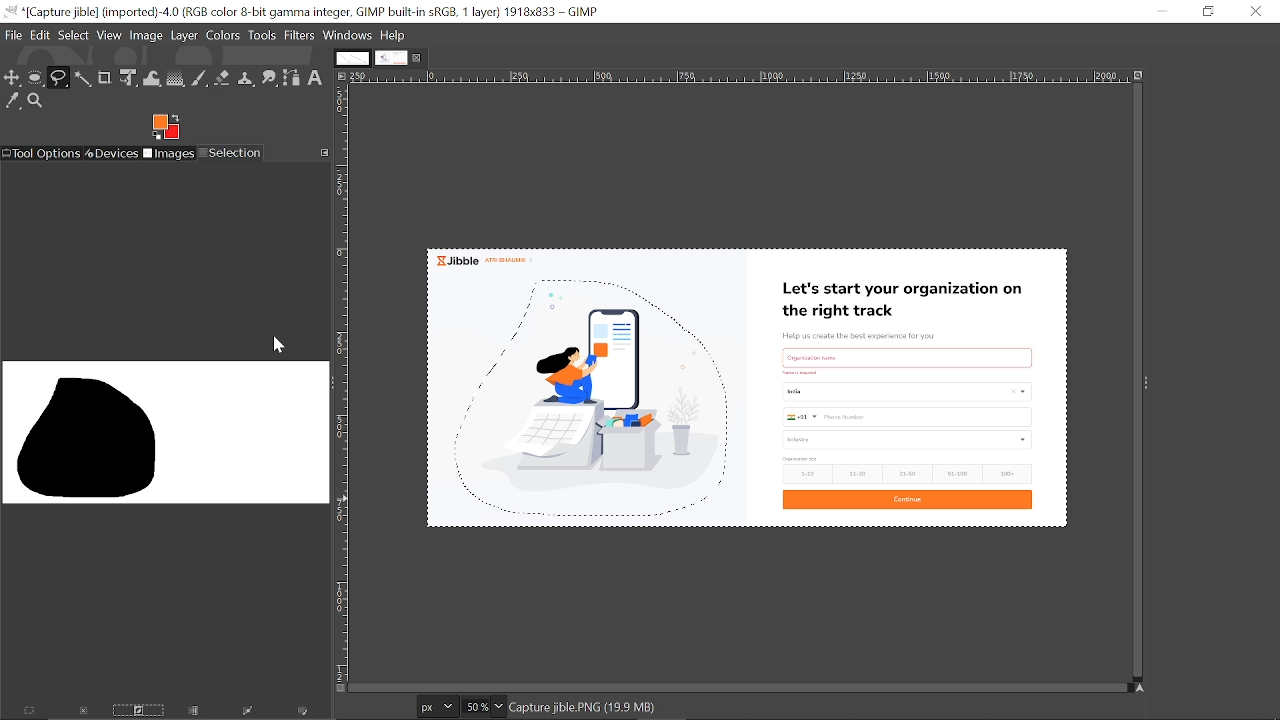 The height and width of the screenshot is (720, 1280). What do you see at coordinates (41, 153) in the screenshot?
I see `Tool options` at bounding box center [41, 153].